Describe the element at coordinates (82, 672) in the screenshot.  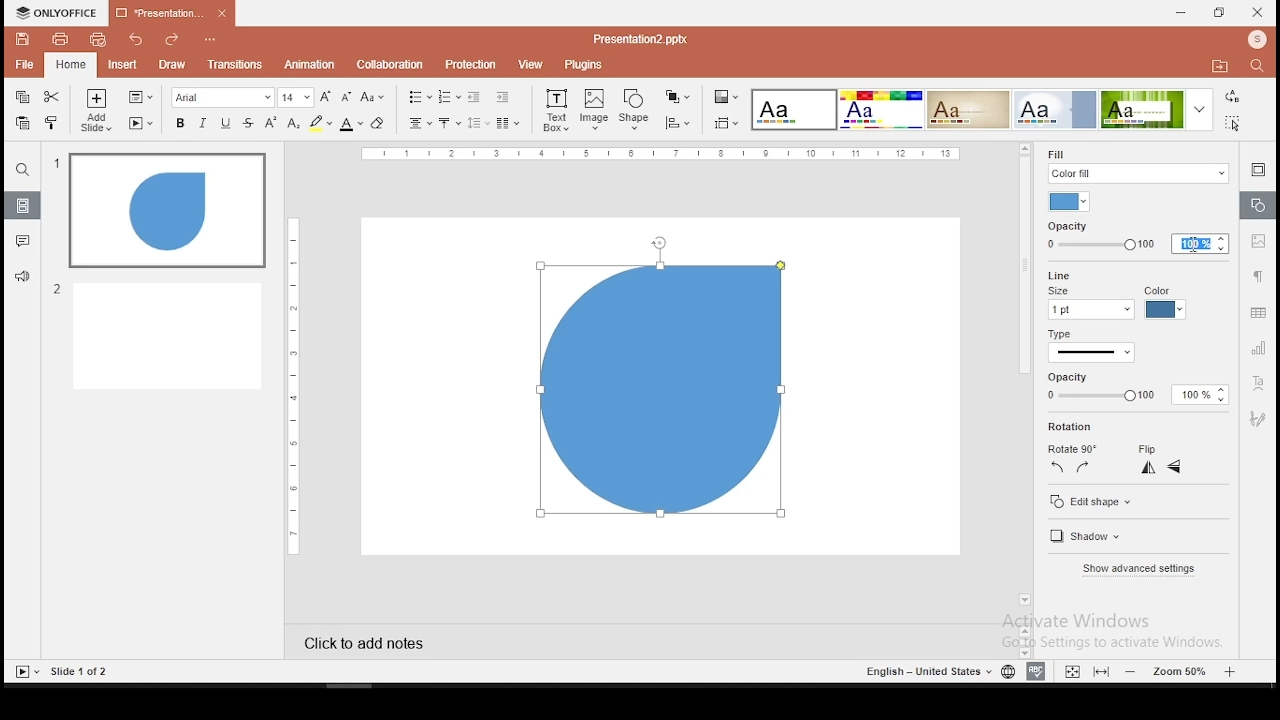
I see `slide 1 of 2` at that location.